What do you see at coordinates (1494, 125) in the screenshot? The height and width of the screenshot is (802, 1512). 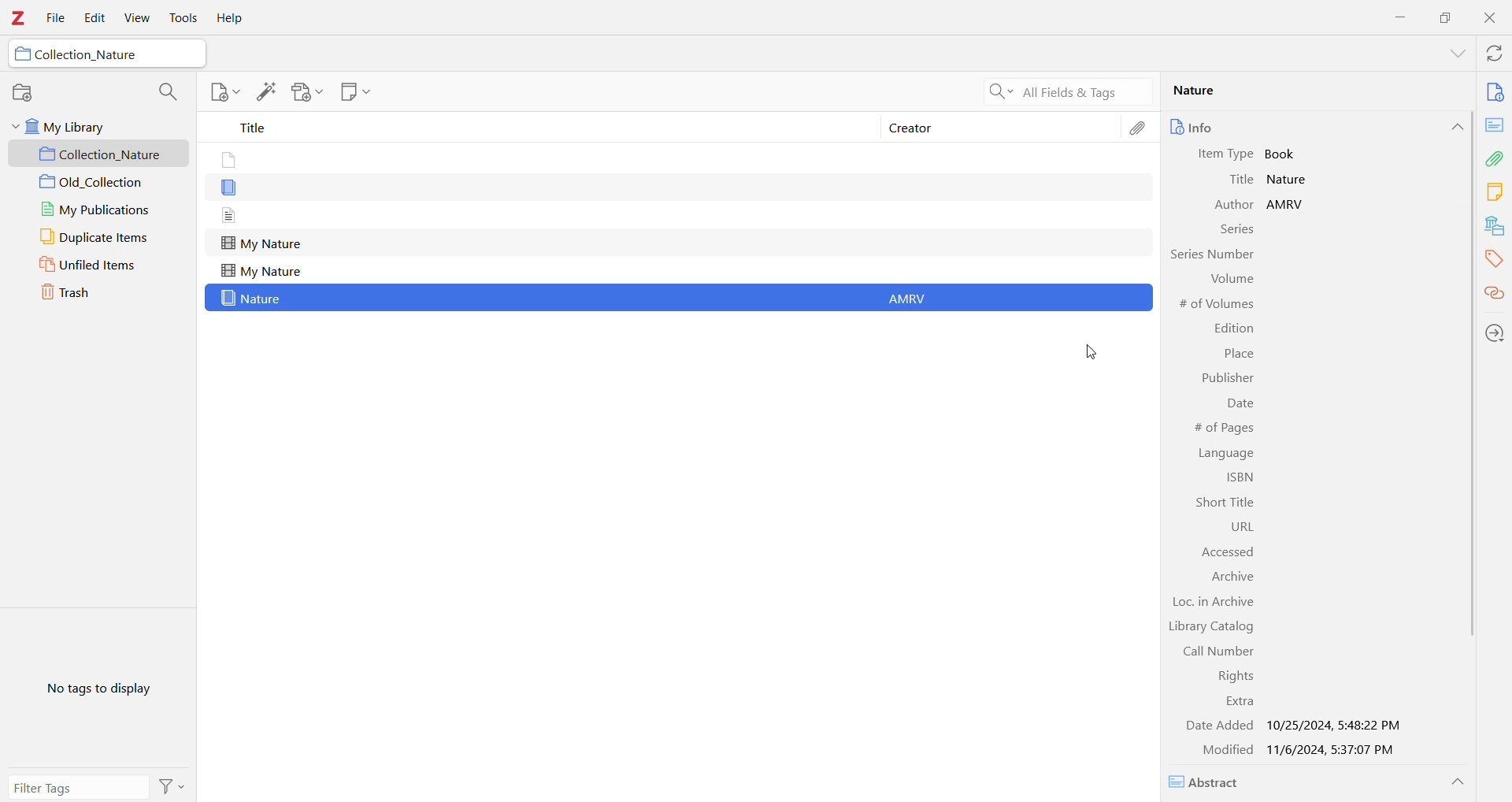 I see `Abstract` at bounding box center [1494, 125].